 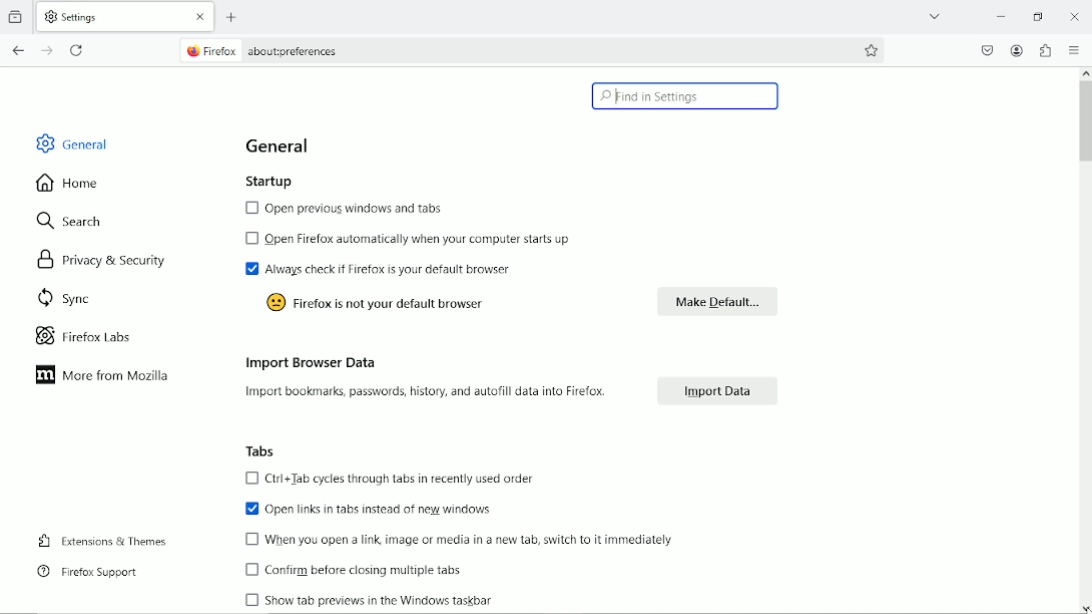 I want to click on Go back, so click(x=18, y=51).